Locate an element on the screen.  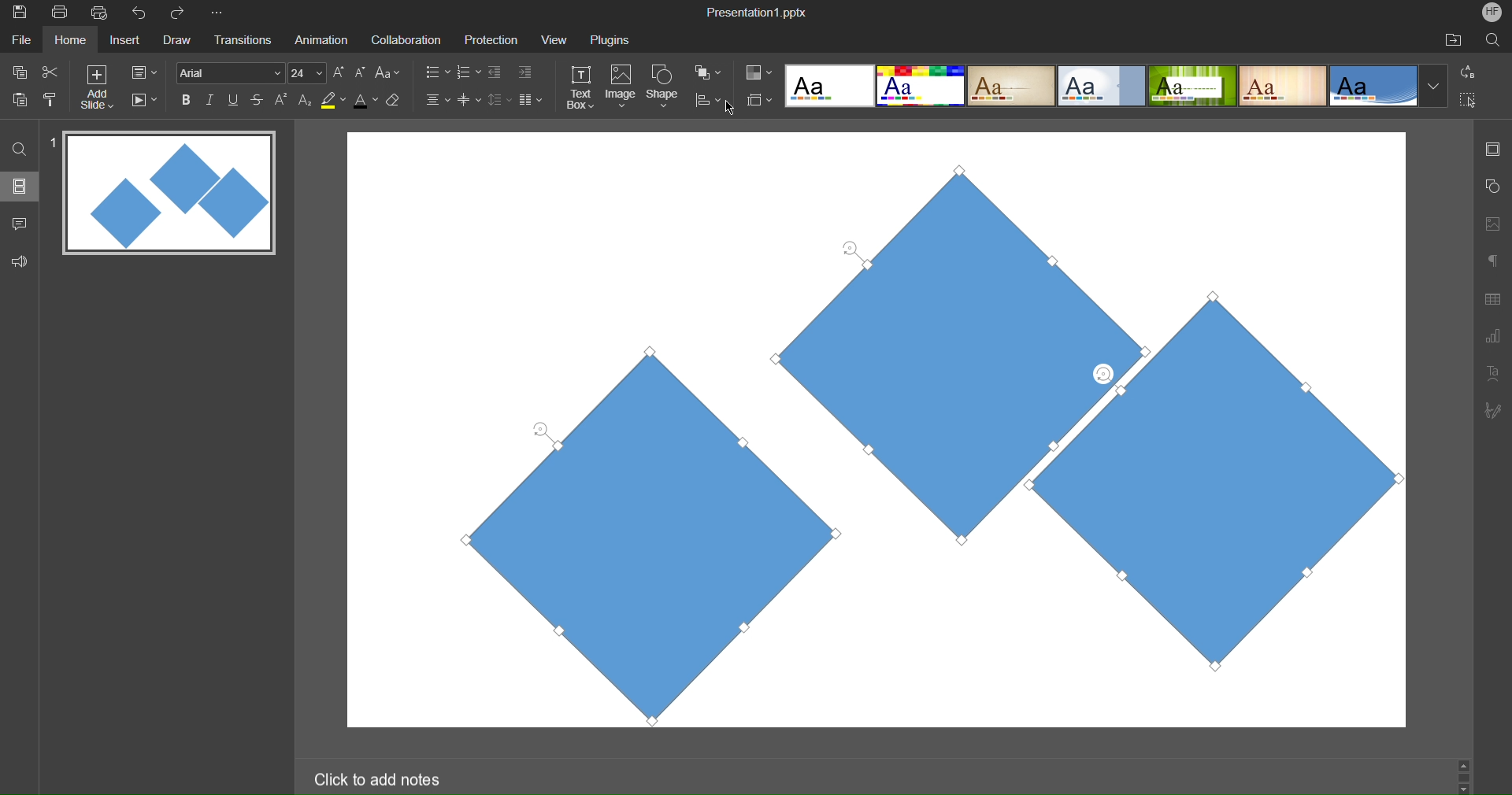
View is located at coordinates (550, 39).